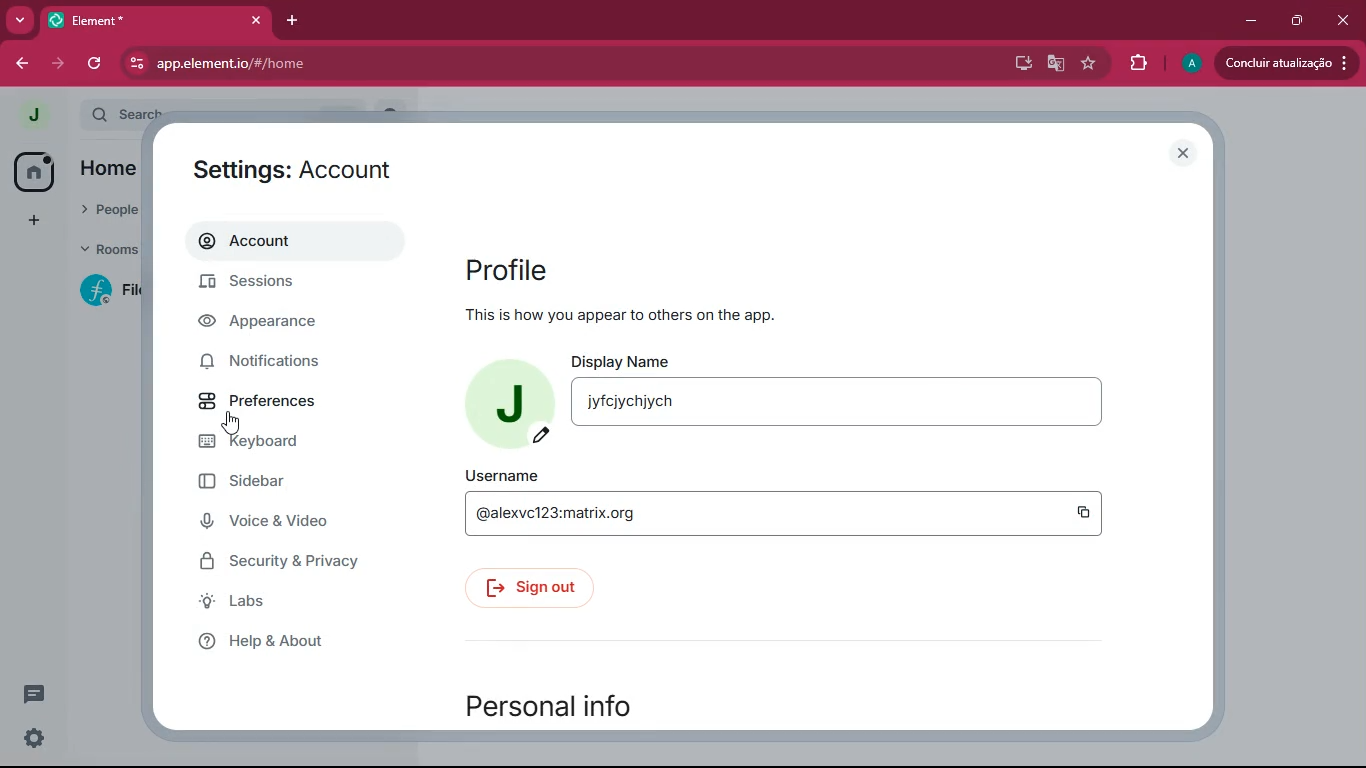  I want to click on This is how you appear to others on the app., so click(639, 316).